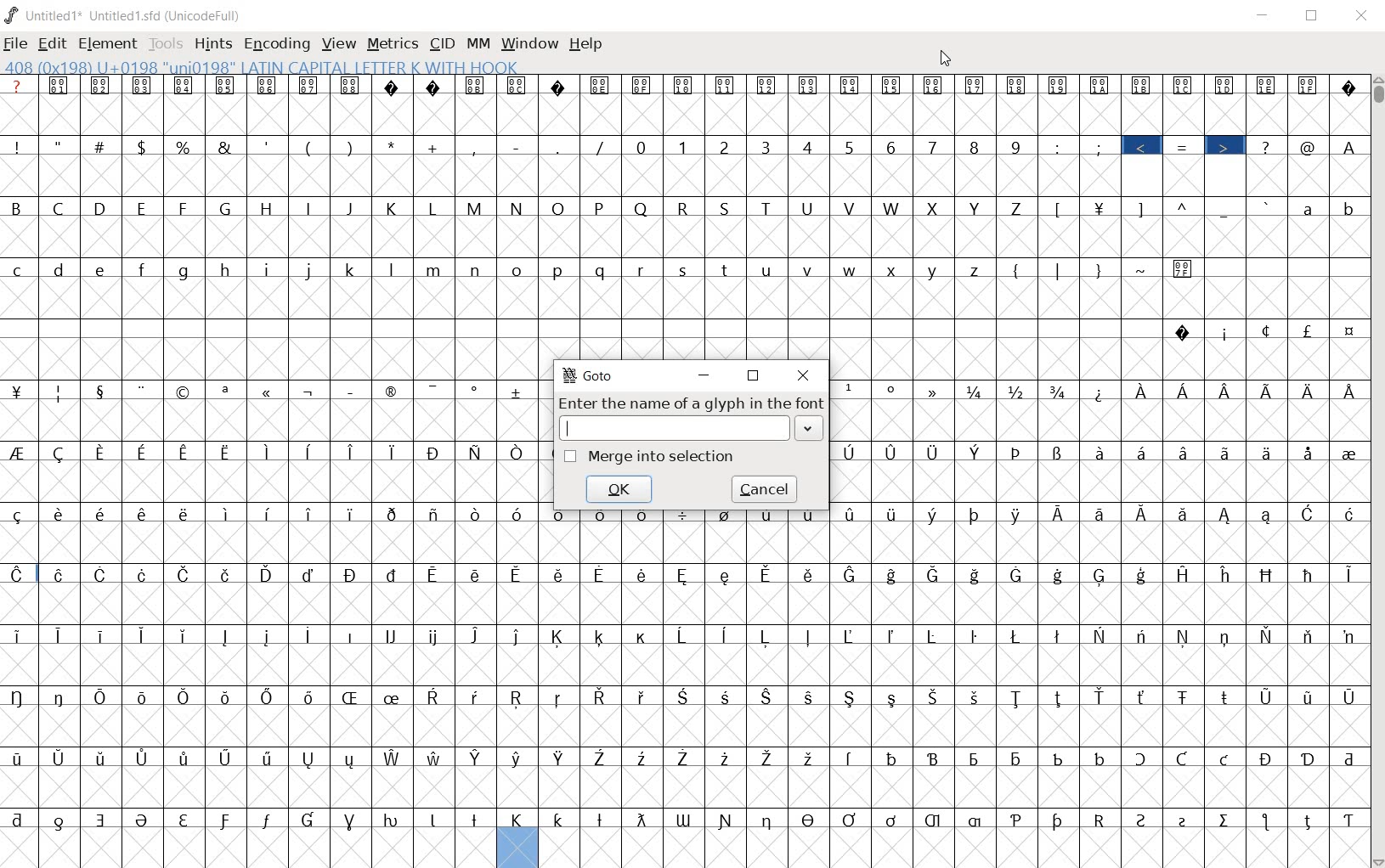 This screenshot has width=1385, height=868. What do you see at coordinates (687, 85) in the screenshot?
I see `unrecognized glyphs` at bounding box center [687, 85].